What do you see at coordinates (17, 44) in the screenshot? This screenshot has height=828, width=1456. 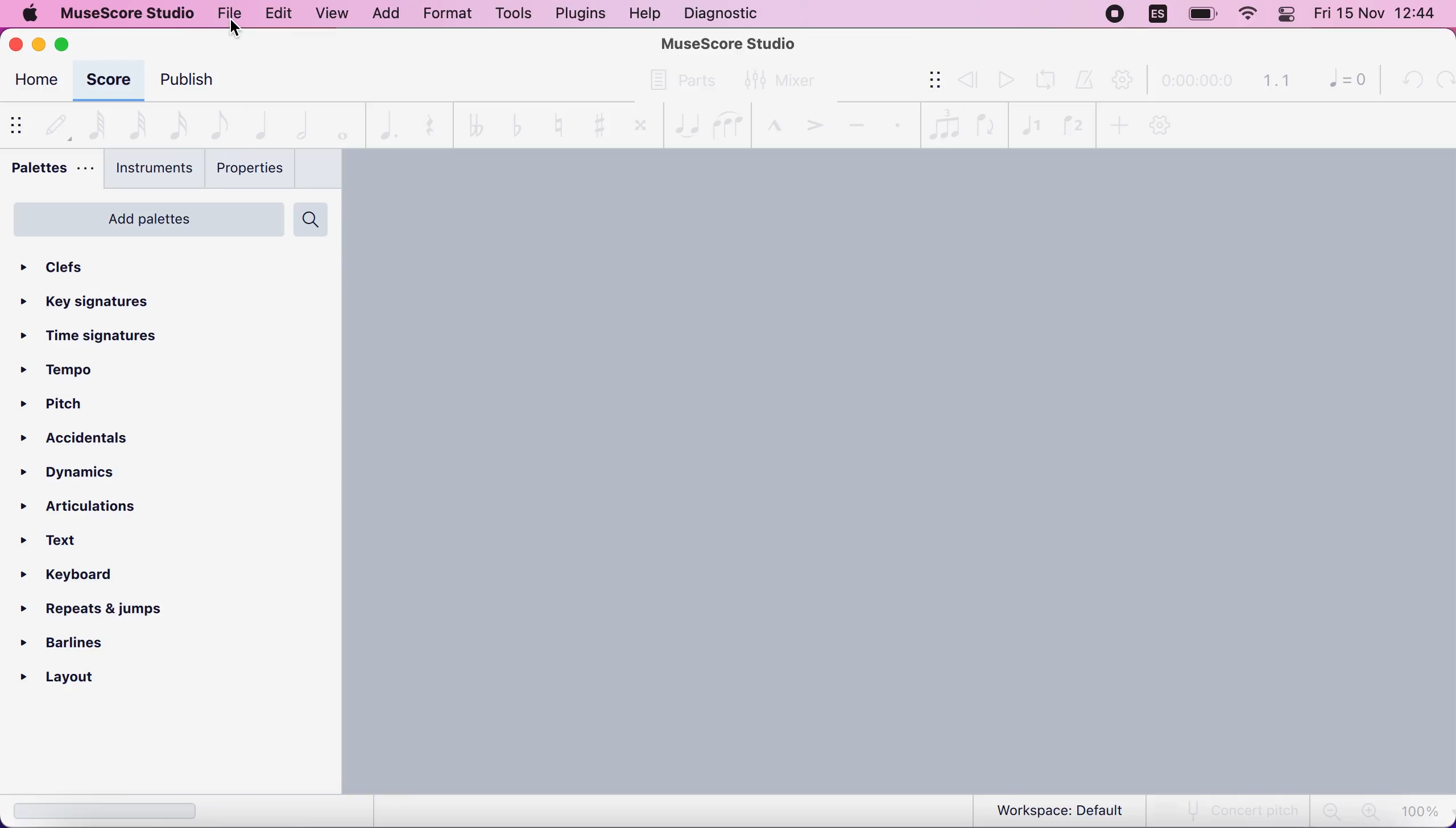 I see `close` at bounding box center [17, 44].